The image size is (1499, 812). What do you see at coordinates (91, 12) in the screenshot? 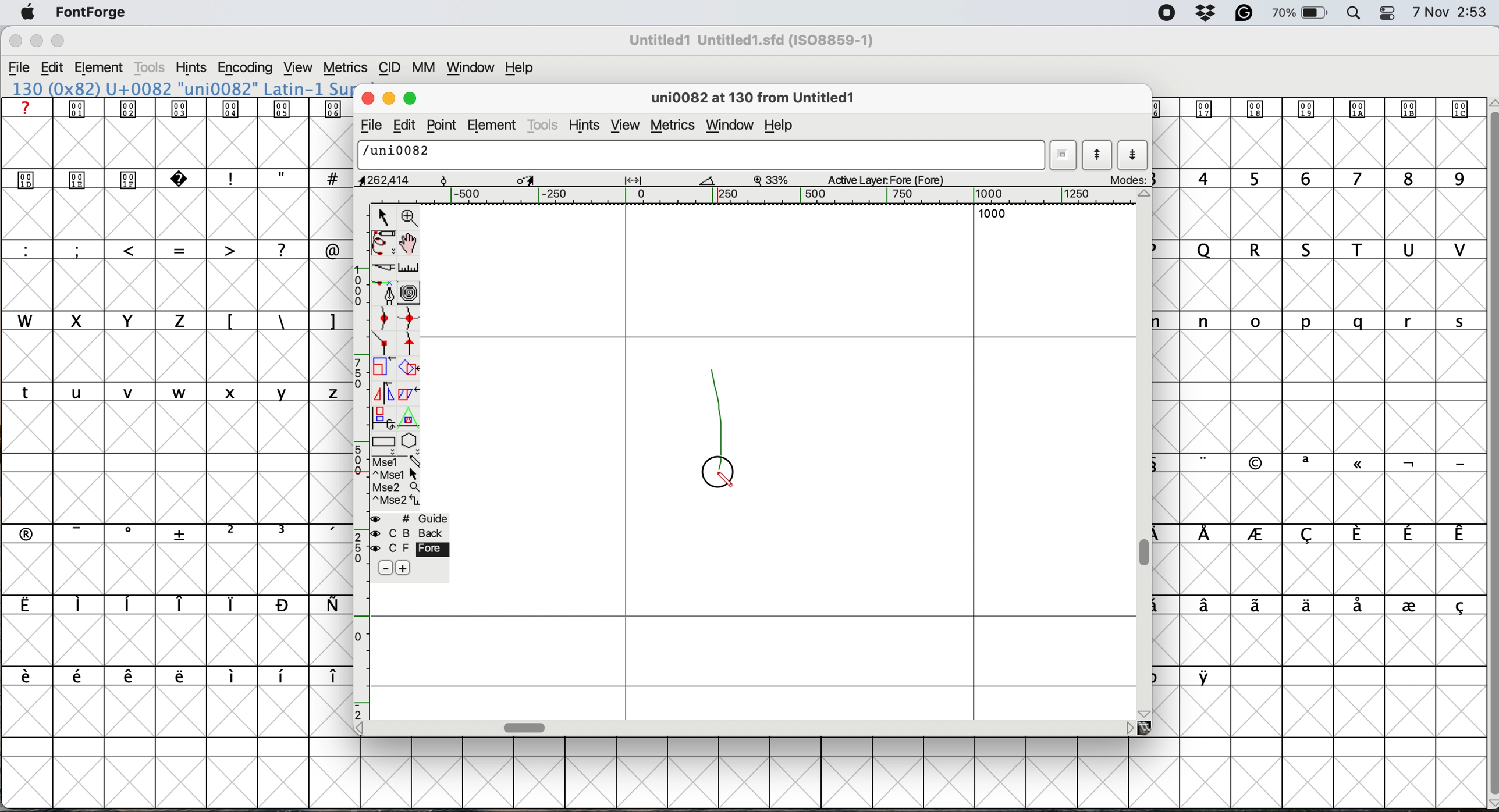
I see `fontforge` at bounding box center [91, 12].